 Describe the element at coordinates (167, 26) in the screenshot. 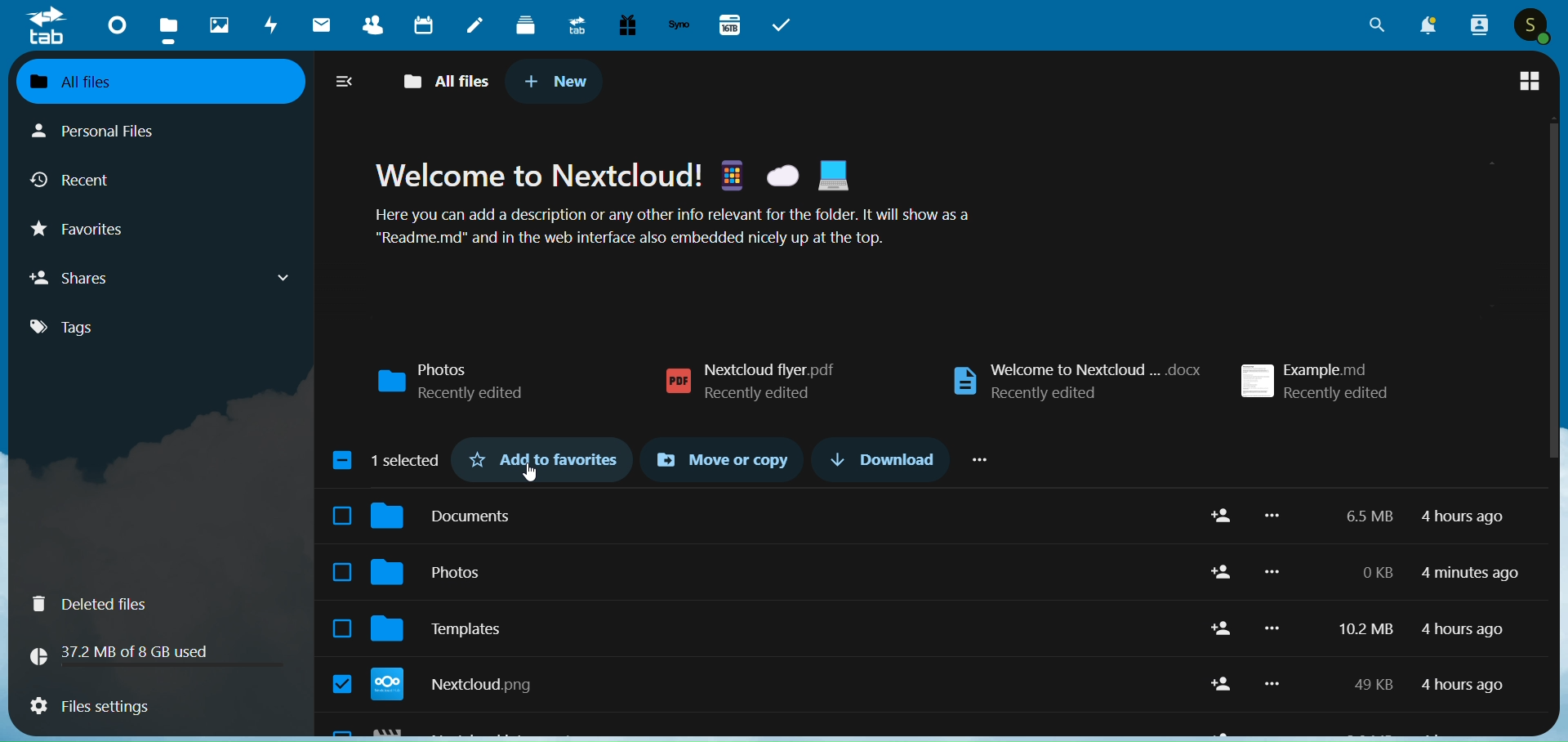

I see `files` at that location.